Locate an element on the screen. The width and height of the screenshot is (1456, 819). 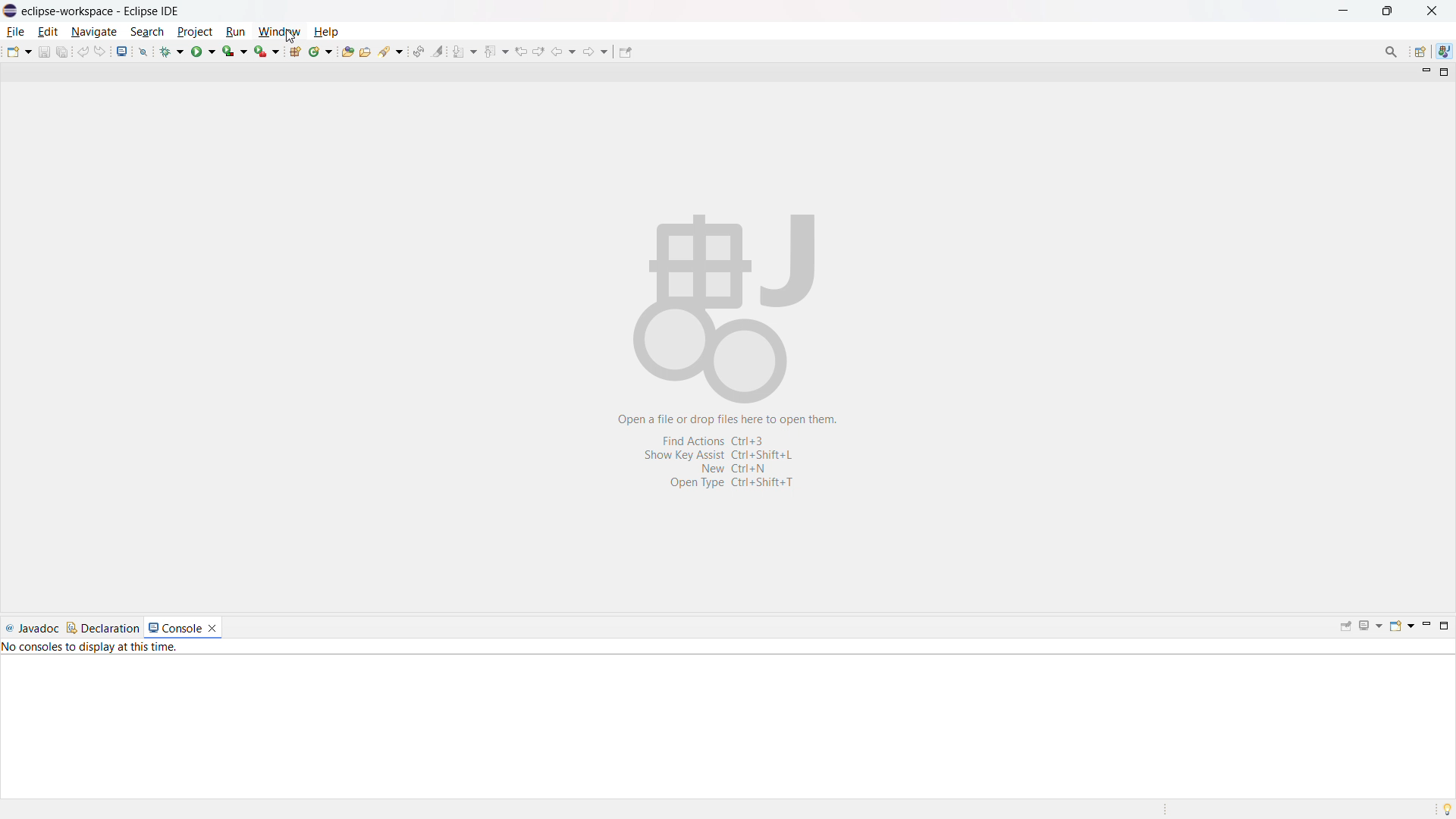
new java class is located at coordinates (320, 51).